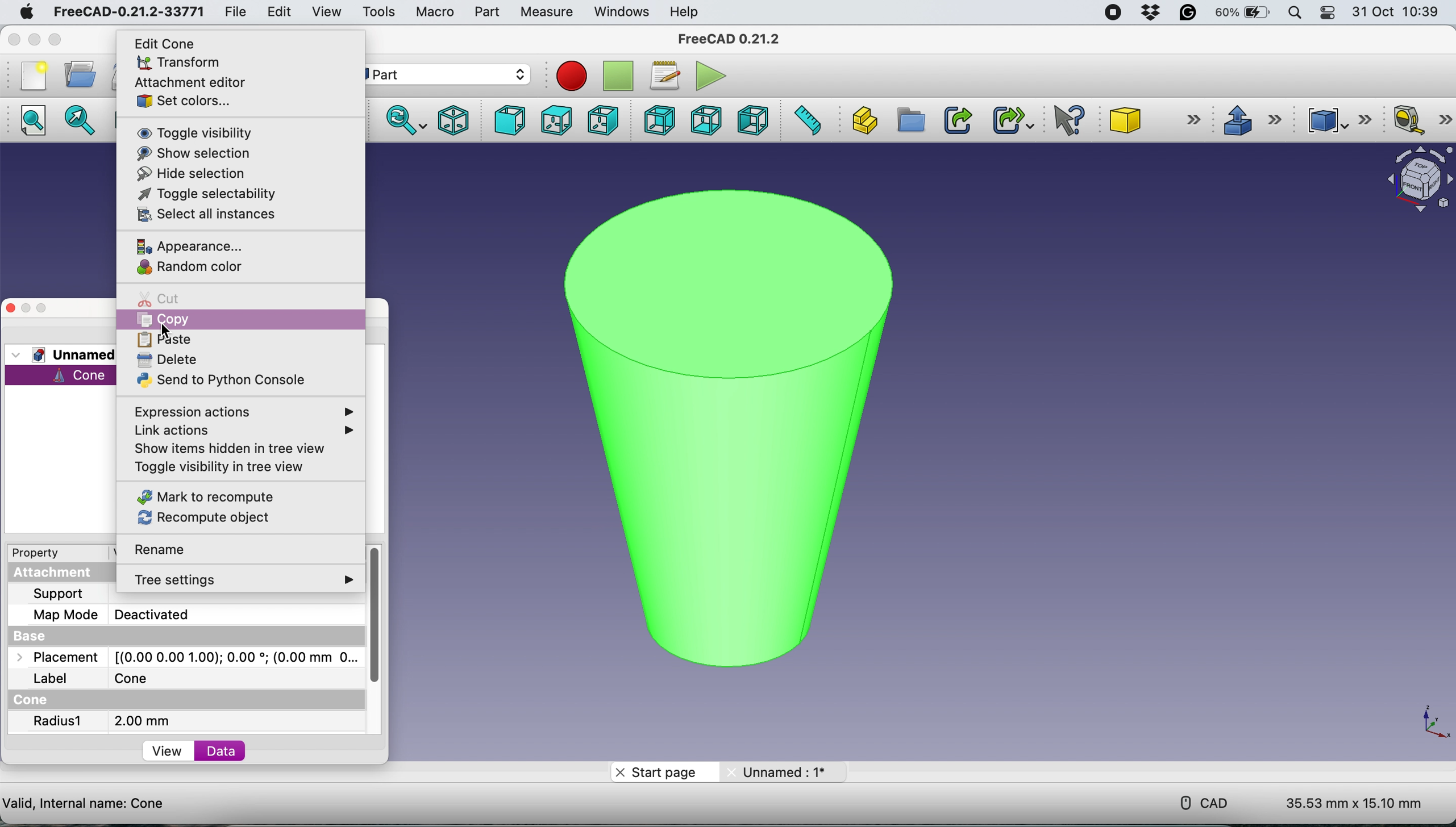 The width and height of the screenshot is (1456, 827). I want to click on system logo, so click(19, 11).